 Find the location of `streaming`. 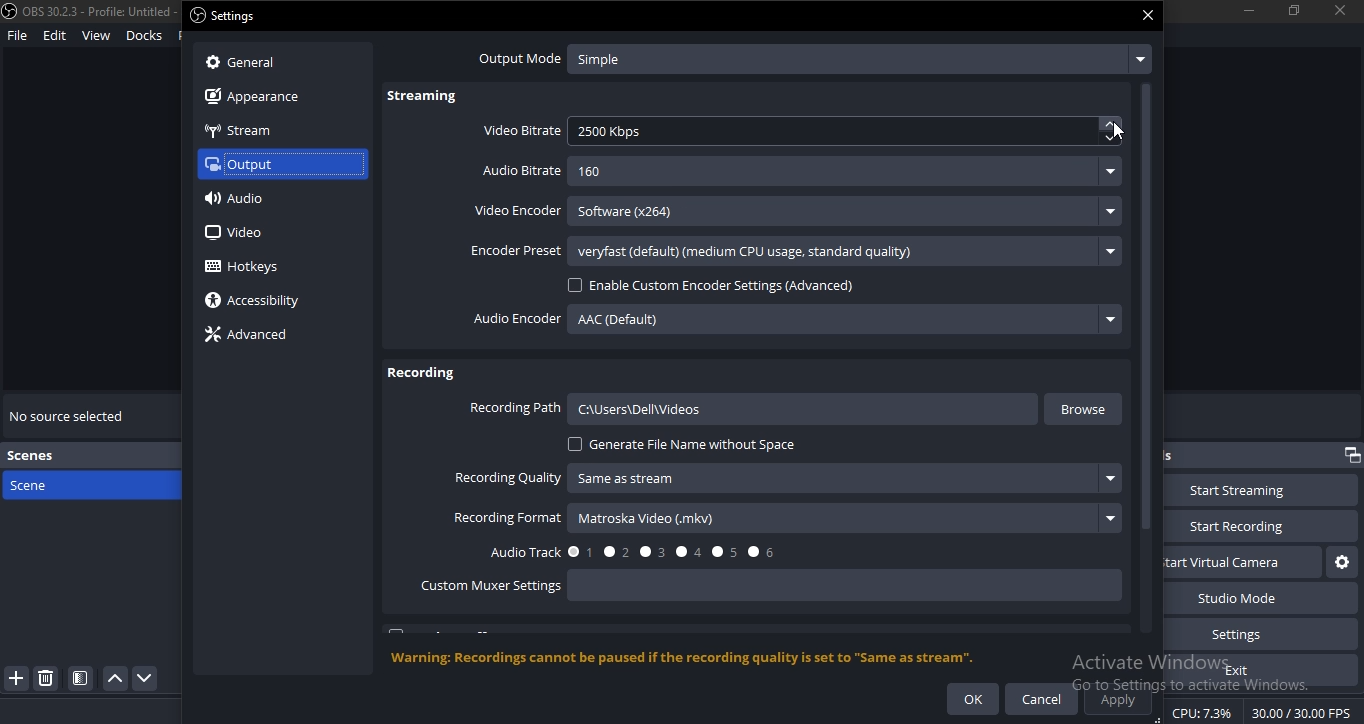

streaming is located at coordinates (424, 98).